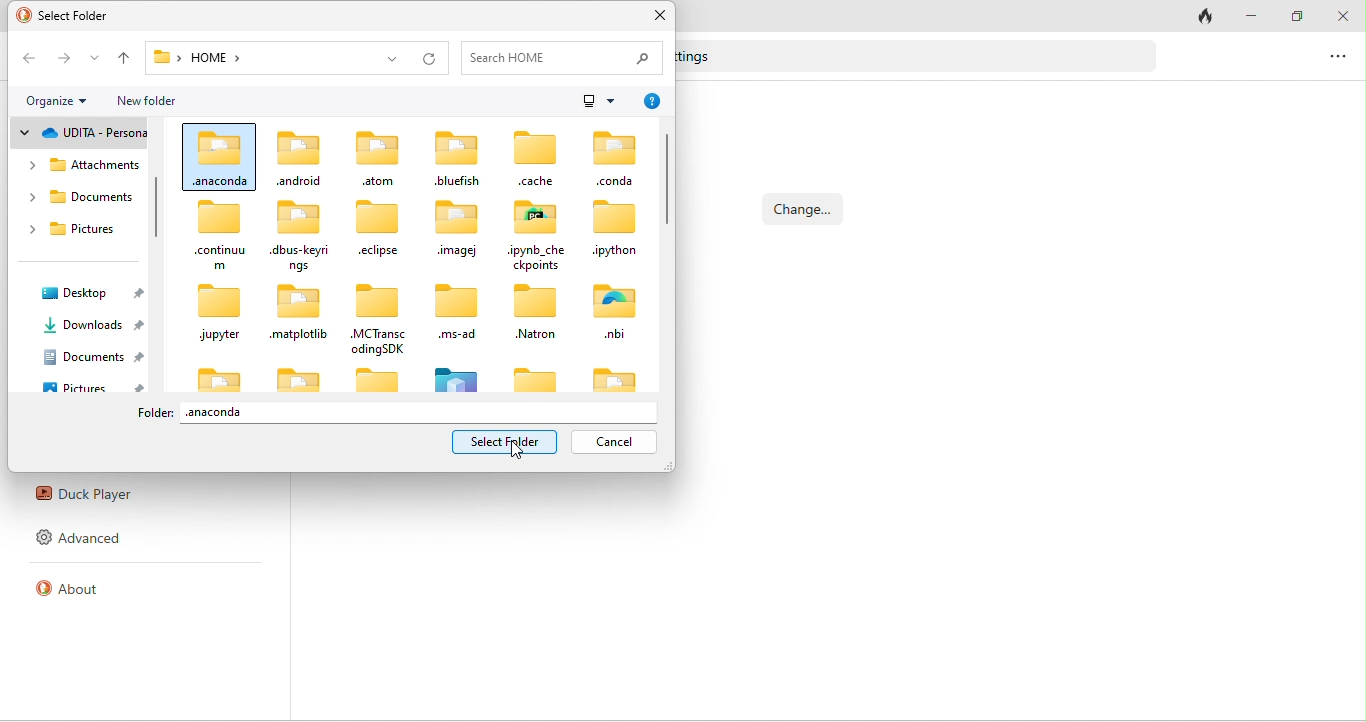 Image resolution: width=1366 pixels, height=722 pixels. I want to click on attachments, so click(81, 165).